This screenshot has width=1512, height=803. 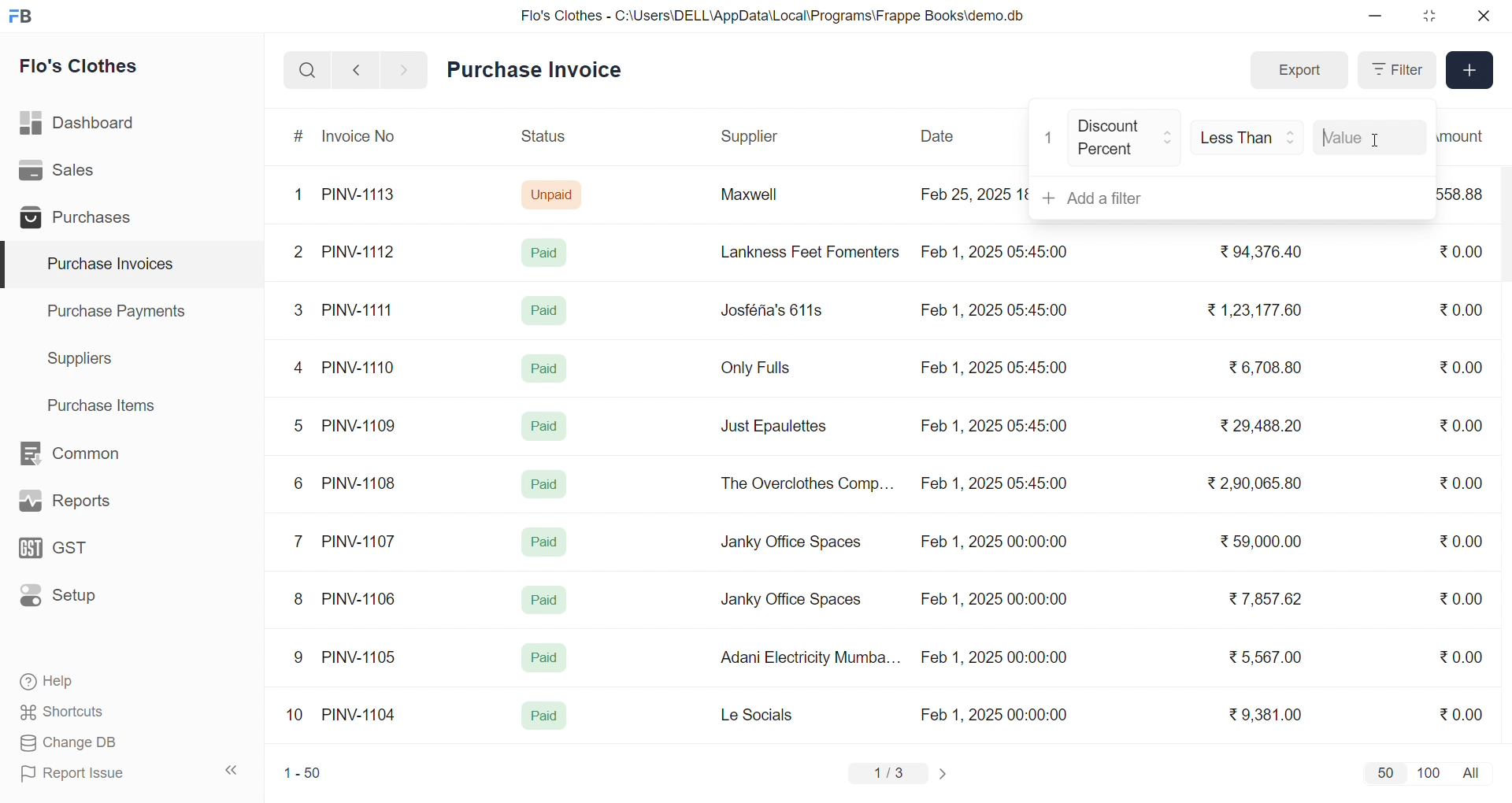 What do you see at coordinates (1373, 147) in the screenshot?
I see `cursor` at bounding box center [1373, 147].